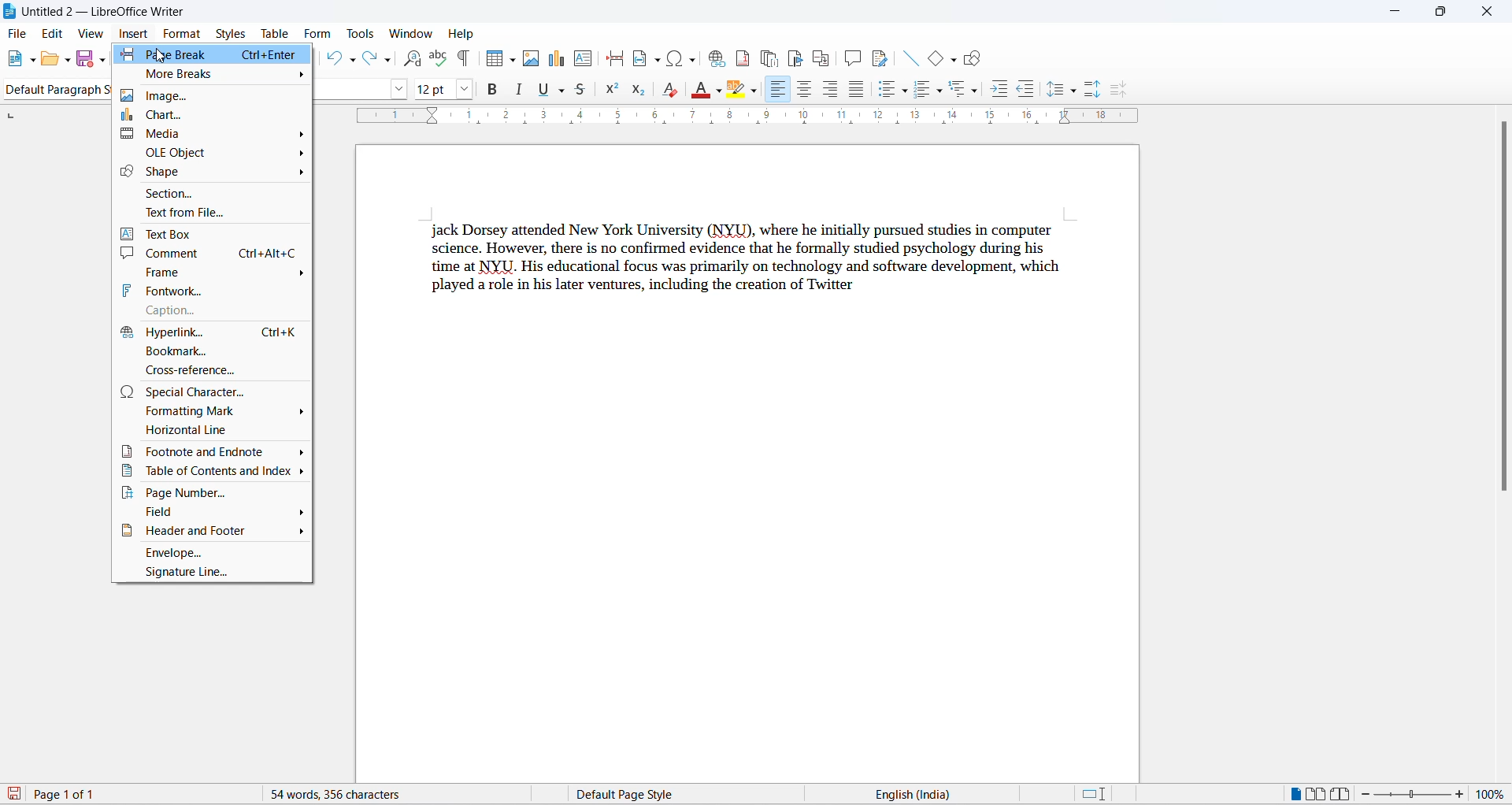 Image resolution: width=1512 pixels, height=805 pixels. What do you see at coordinates (54, 34) in the screenshot?
I see `edit` at bounding box center [54, 34].